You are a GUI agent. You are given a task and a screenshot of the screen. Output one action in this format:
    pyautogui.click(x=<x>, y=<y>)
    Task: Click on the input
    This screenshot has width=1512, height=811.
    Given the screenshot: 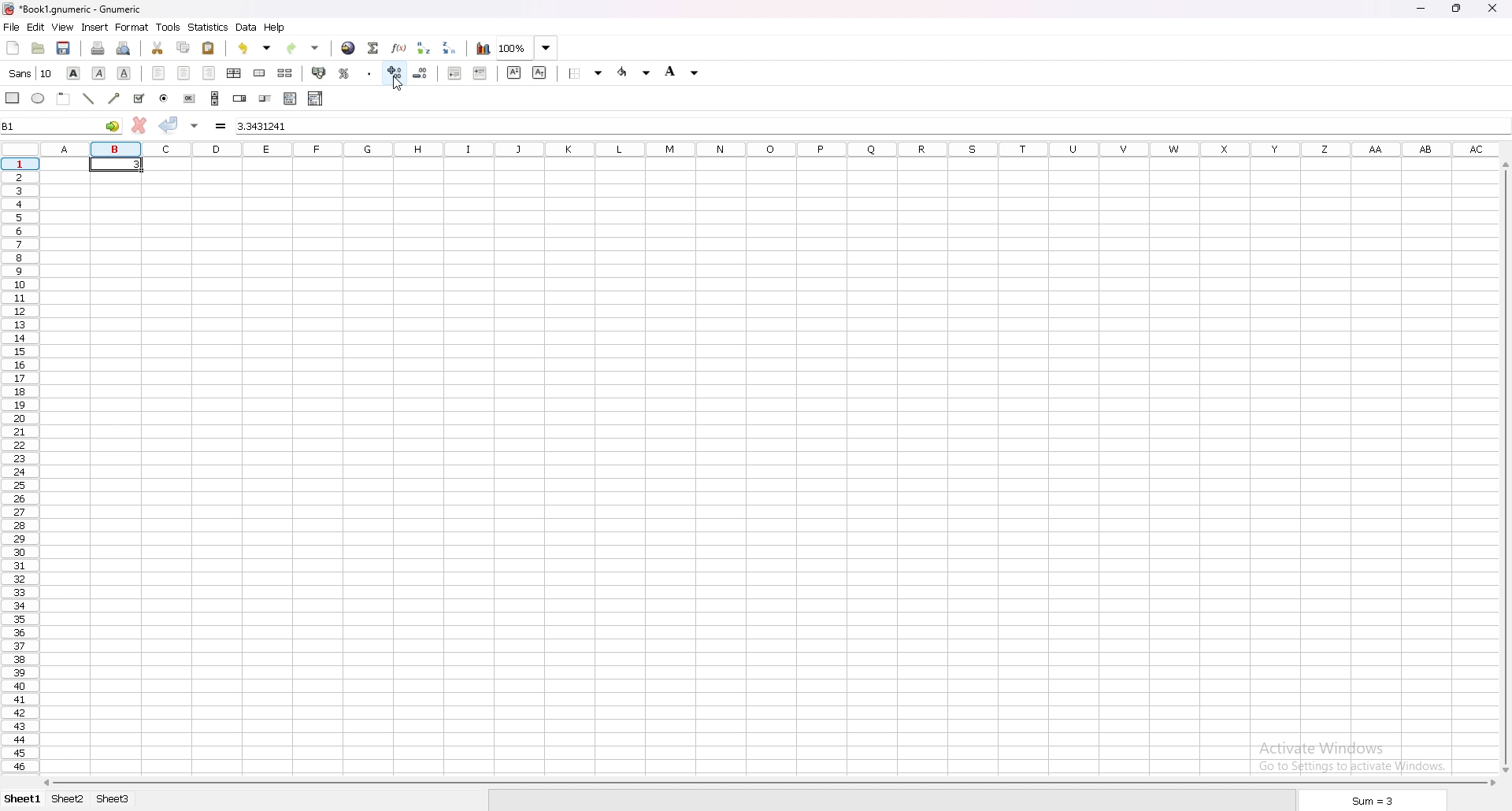 What is the action you would take?
    pyautogui.click(x=266, y=126)
    